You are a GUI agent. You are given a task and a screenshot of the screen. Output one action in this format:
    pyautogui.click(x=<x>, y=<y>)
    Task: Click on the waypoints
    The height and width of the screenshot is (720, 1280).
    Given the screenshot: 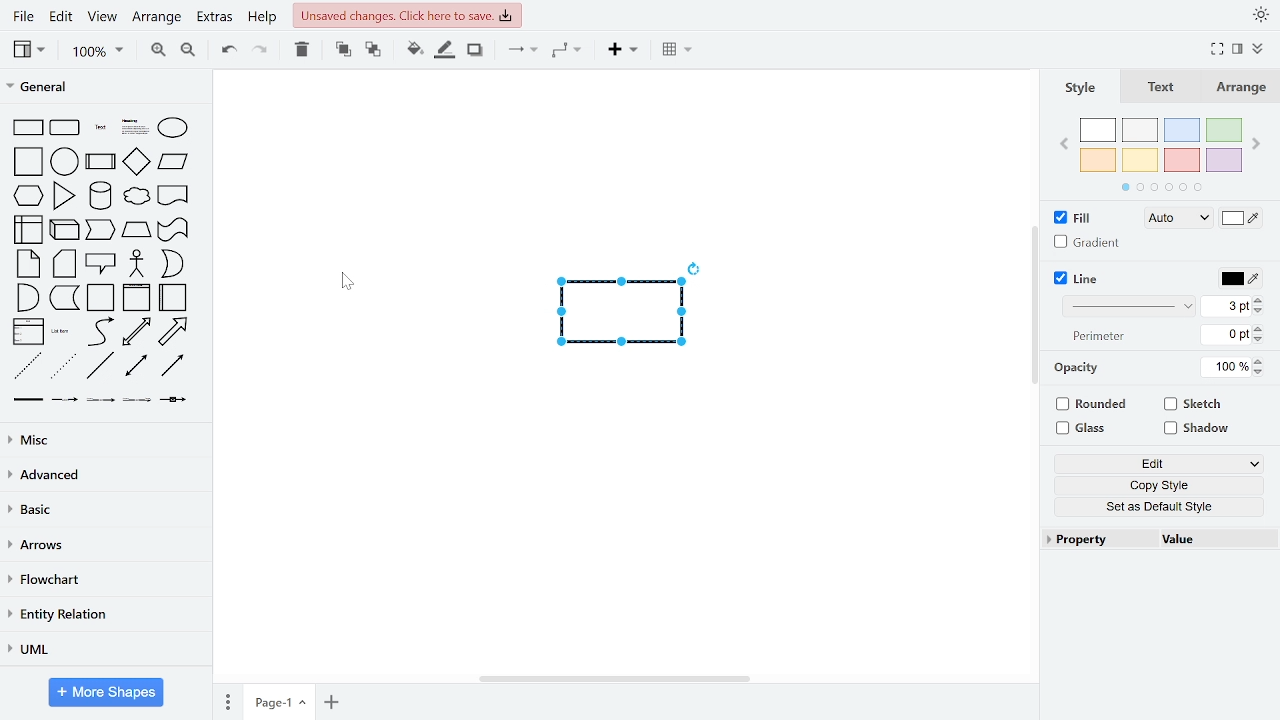 What is the action you would take?
    pyautogui.click(x=569, y=52)
    